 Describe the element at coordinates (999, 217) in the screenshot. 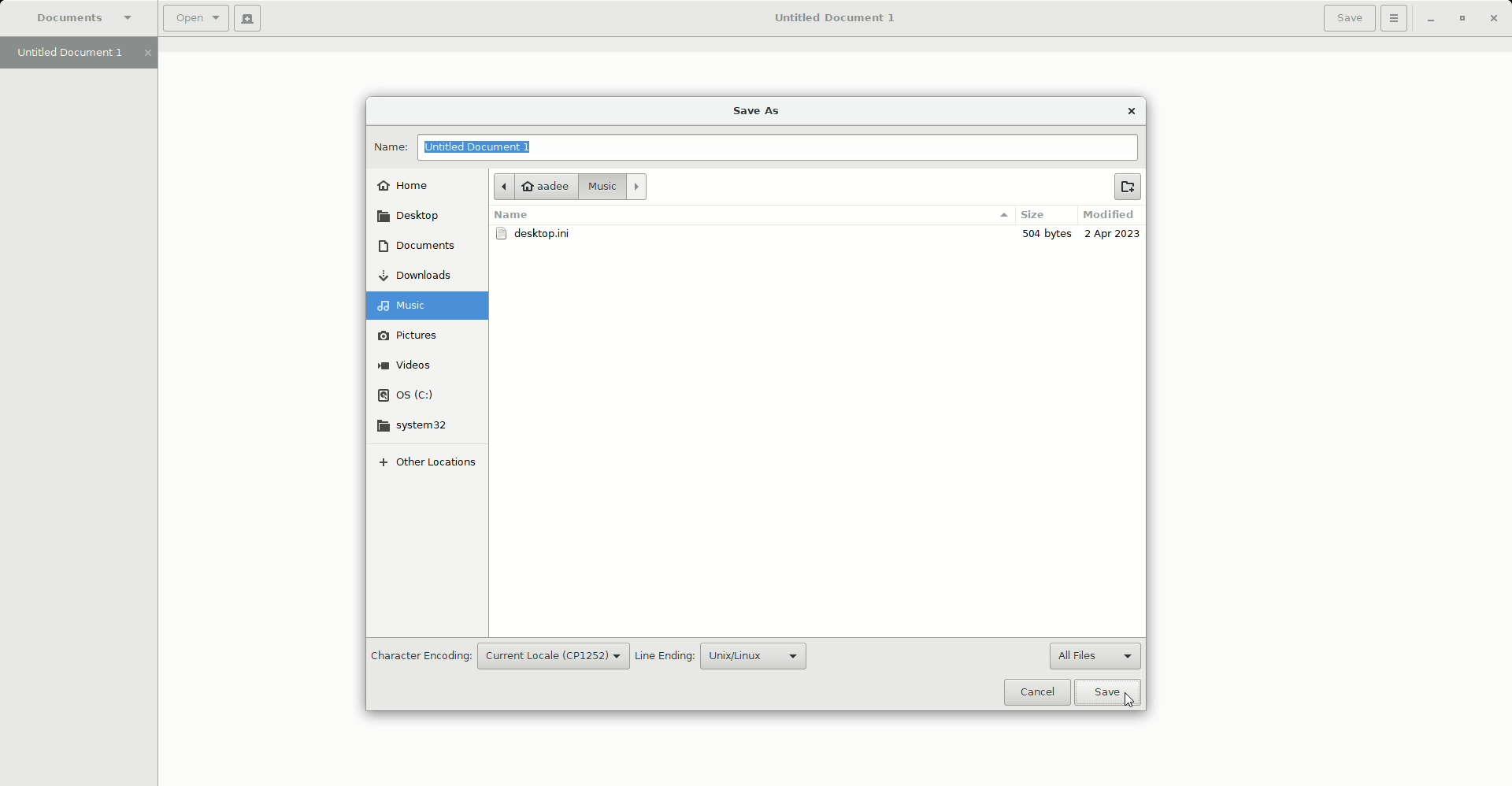

I see `options` at that location.